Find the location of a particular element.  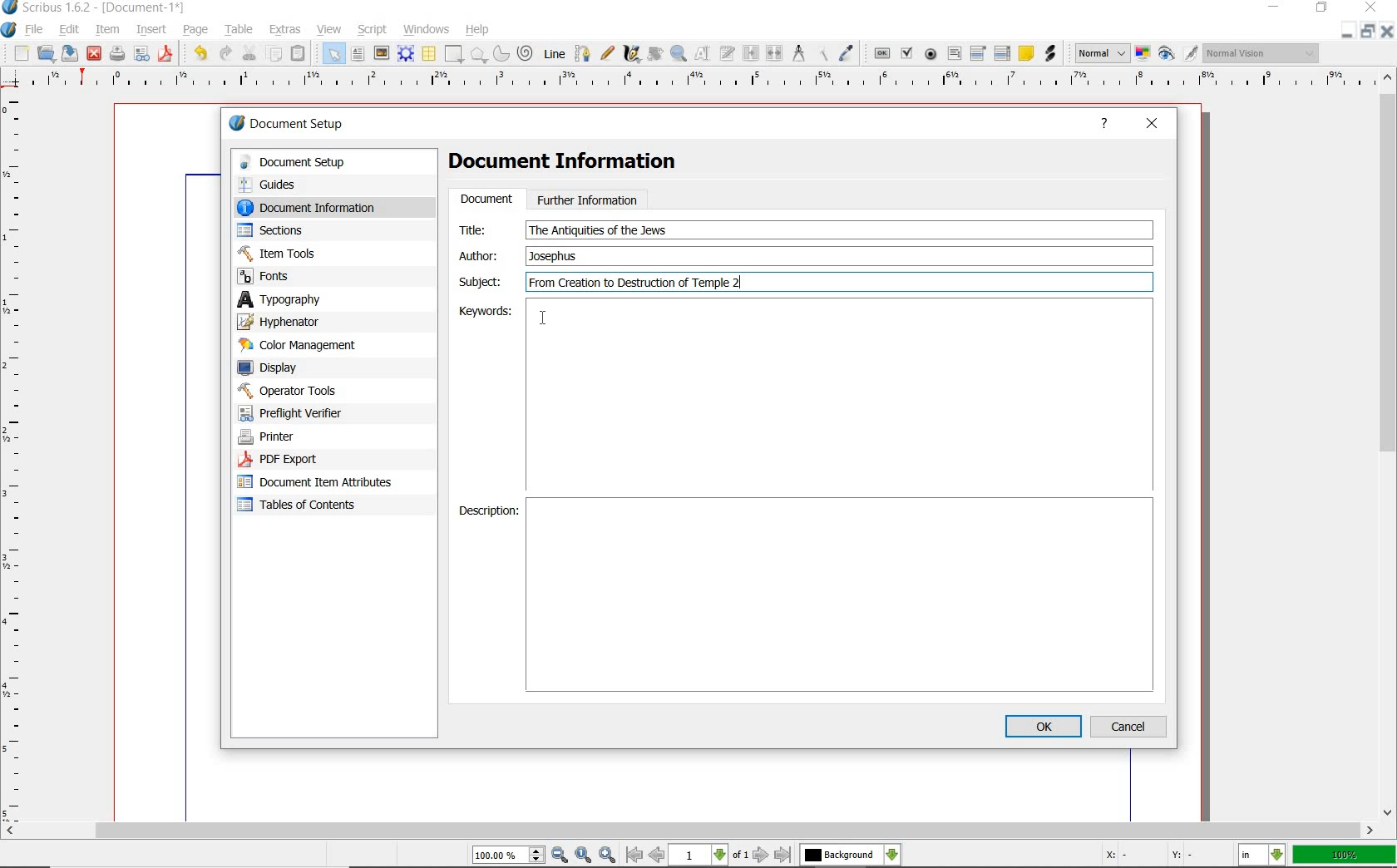

shape is located at coordinates (478, 54).